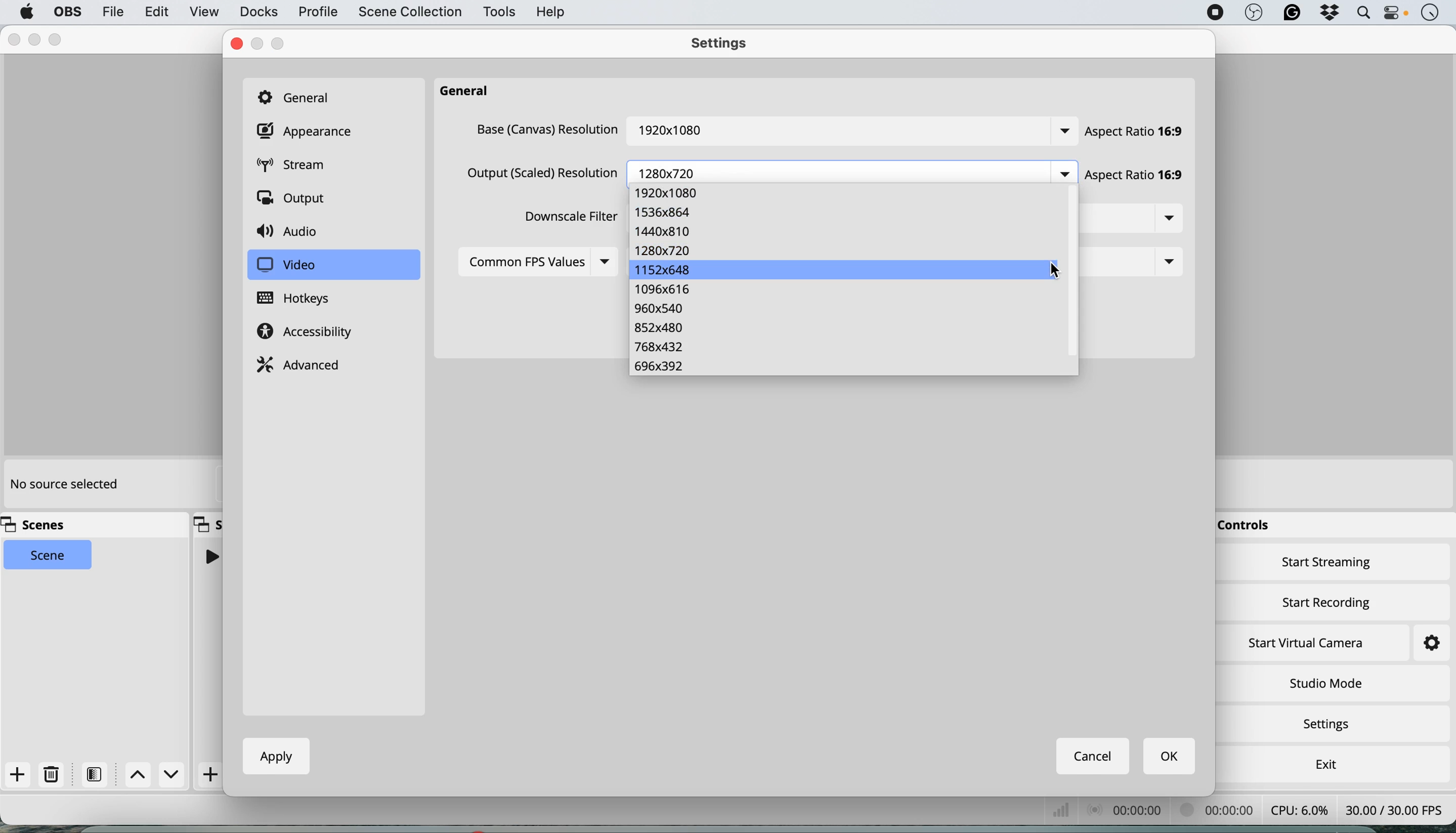 The height and width of the screenshot is (833, 1456). What do you see at coordinates (300, 96) in the screenshot?
I see `general` at bounding box center [300, 96].